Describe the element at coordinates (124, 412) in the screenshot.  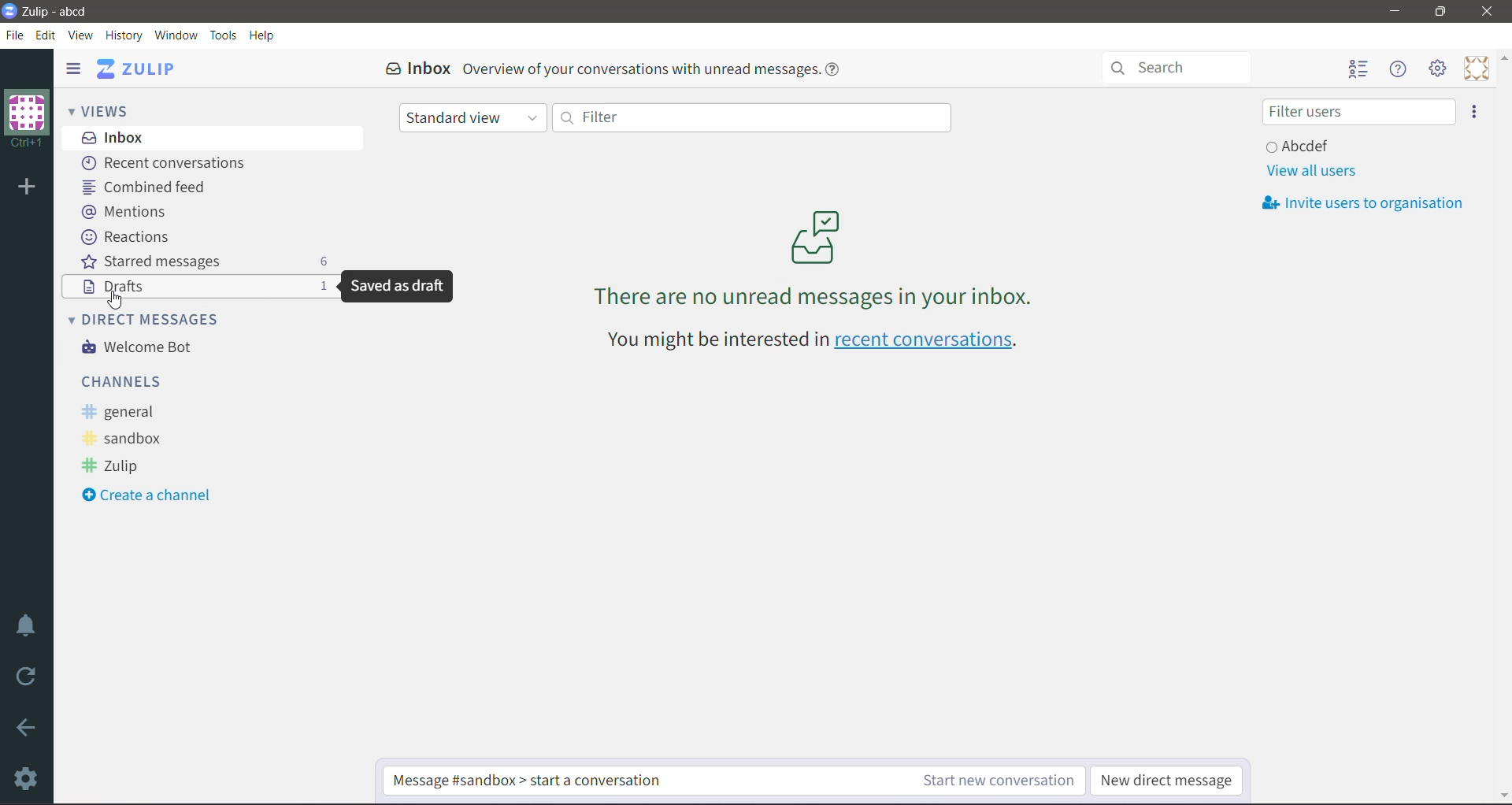
I see `general` at that location.